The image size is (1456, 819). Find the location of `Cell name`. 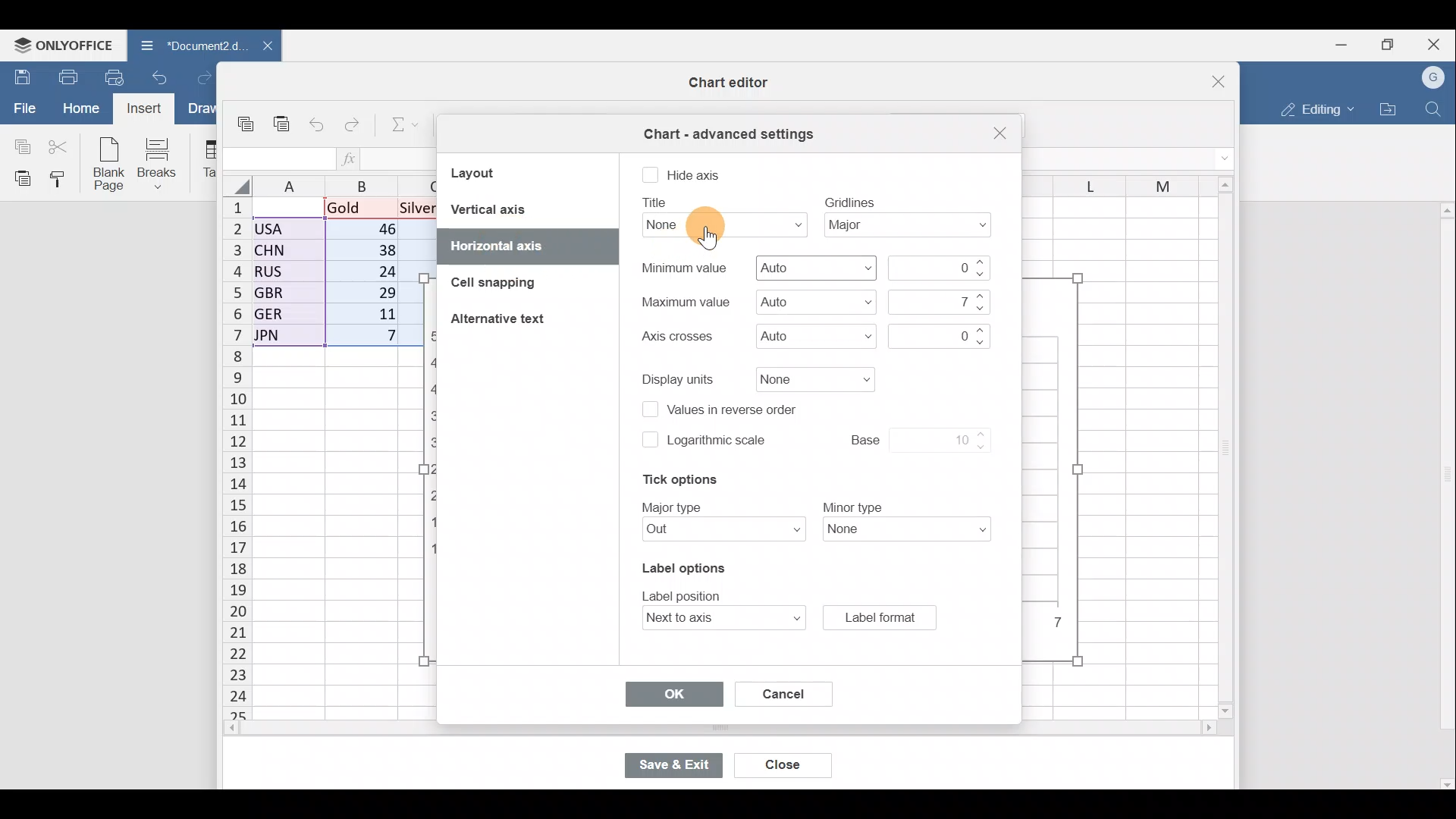

Cell name is located at coordinates (277, 155).